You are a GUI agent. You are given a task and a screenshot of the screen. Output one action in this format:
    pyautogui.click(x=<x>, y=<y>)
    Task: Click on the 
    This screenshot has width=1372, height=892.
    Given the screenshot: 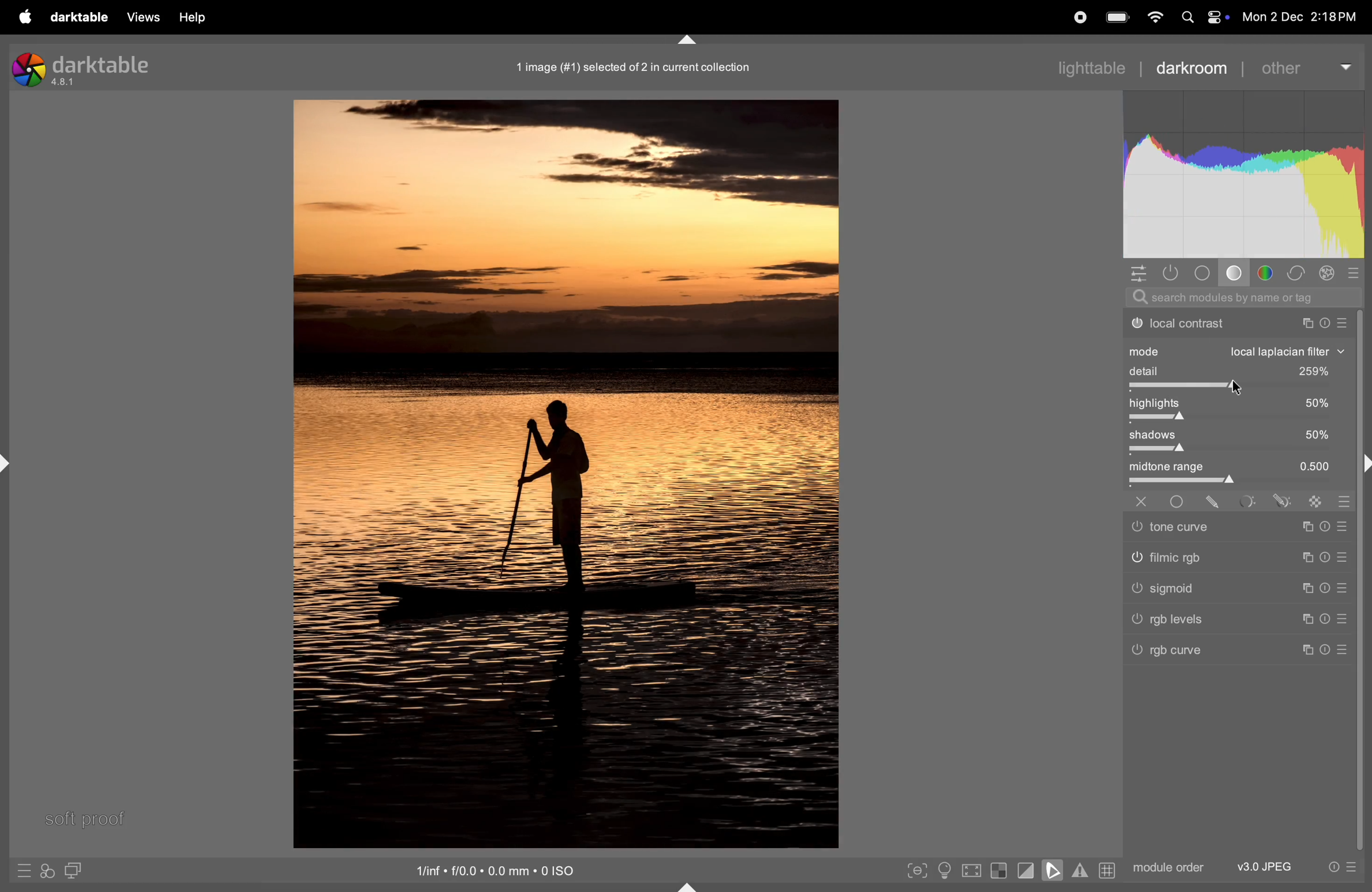 What is the action you would take?
    pyautogui.click(x=1189, y=589)
    